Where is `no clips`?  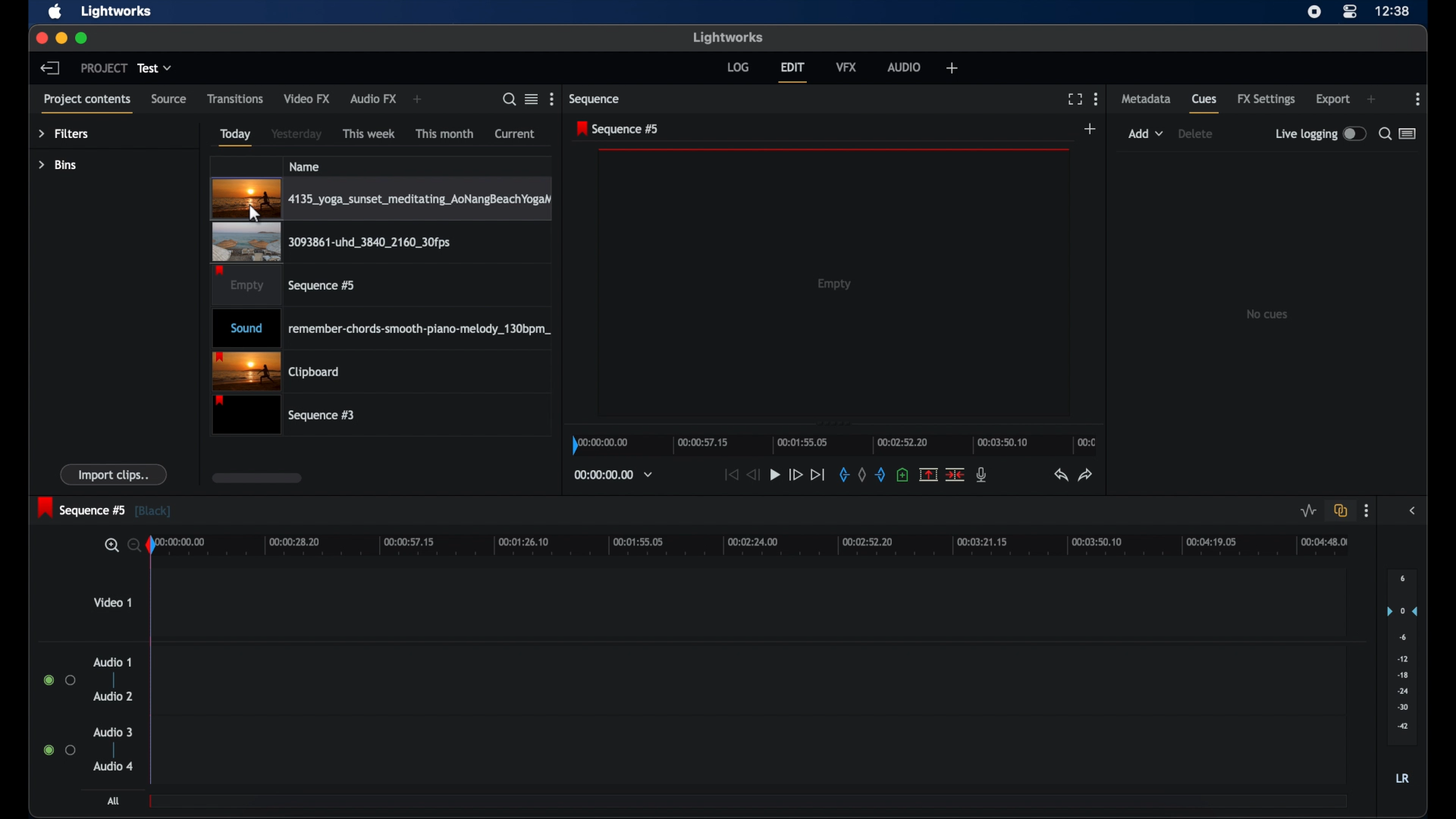 no clips is located at coordinates (1268, 313).